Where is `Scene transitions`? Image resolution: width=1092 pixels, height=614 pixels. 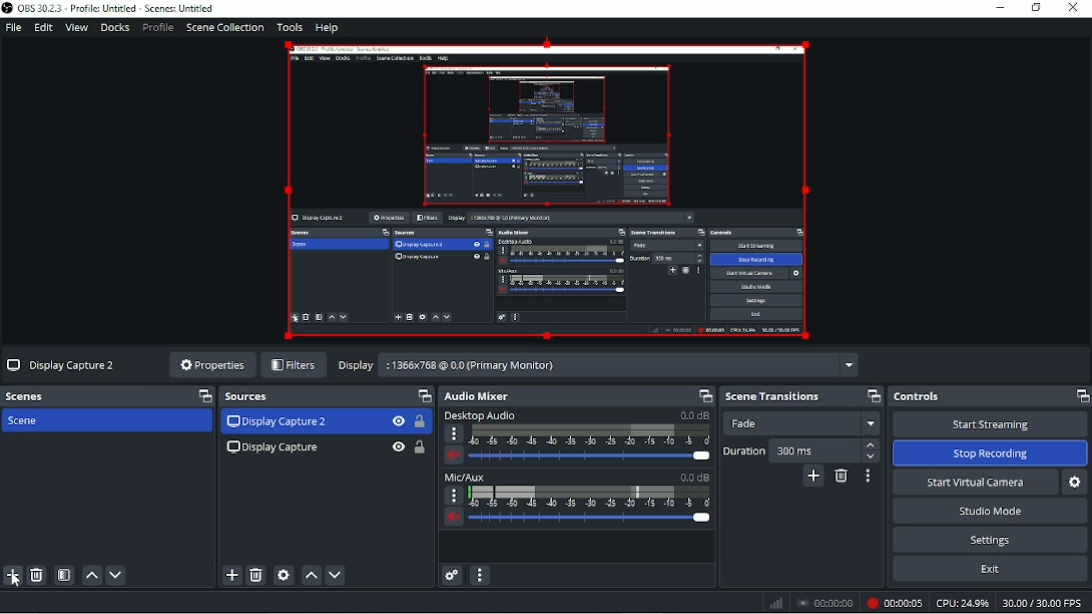 Scene transitions is located at coordinates (771, 396).